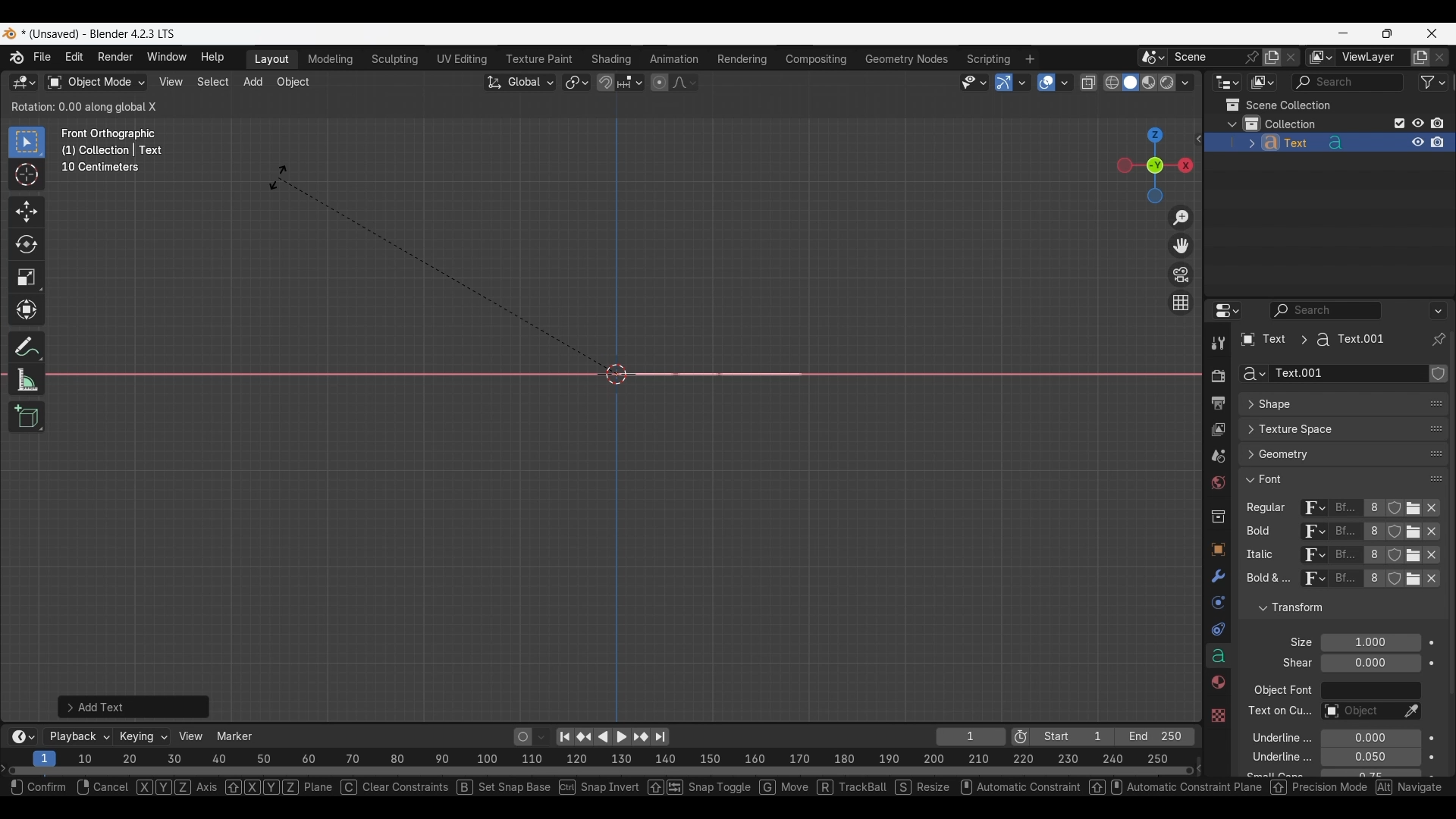  Describe the element at coordinates (1329, 143) in the screenshot. I see `Text object added to collection` at that location.